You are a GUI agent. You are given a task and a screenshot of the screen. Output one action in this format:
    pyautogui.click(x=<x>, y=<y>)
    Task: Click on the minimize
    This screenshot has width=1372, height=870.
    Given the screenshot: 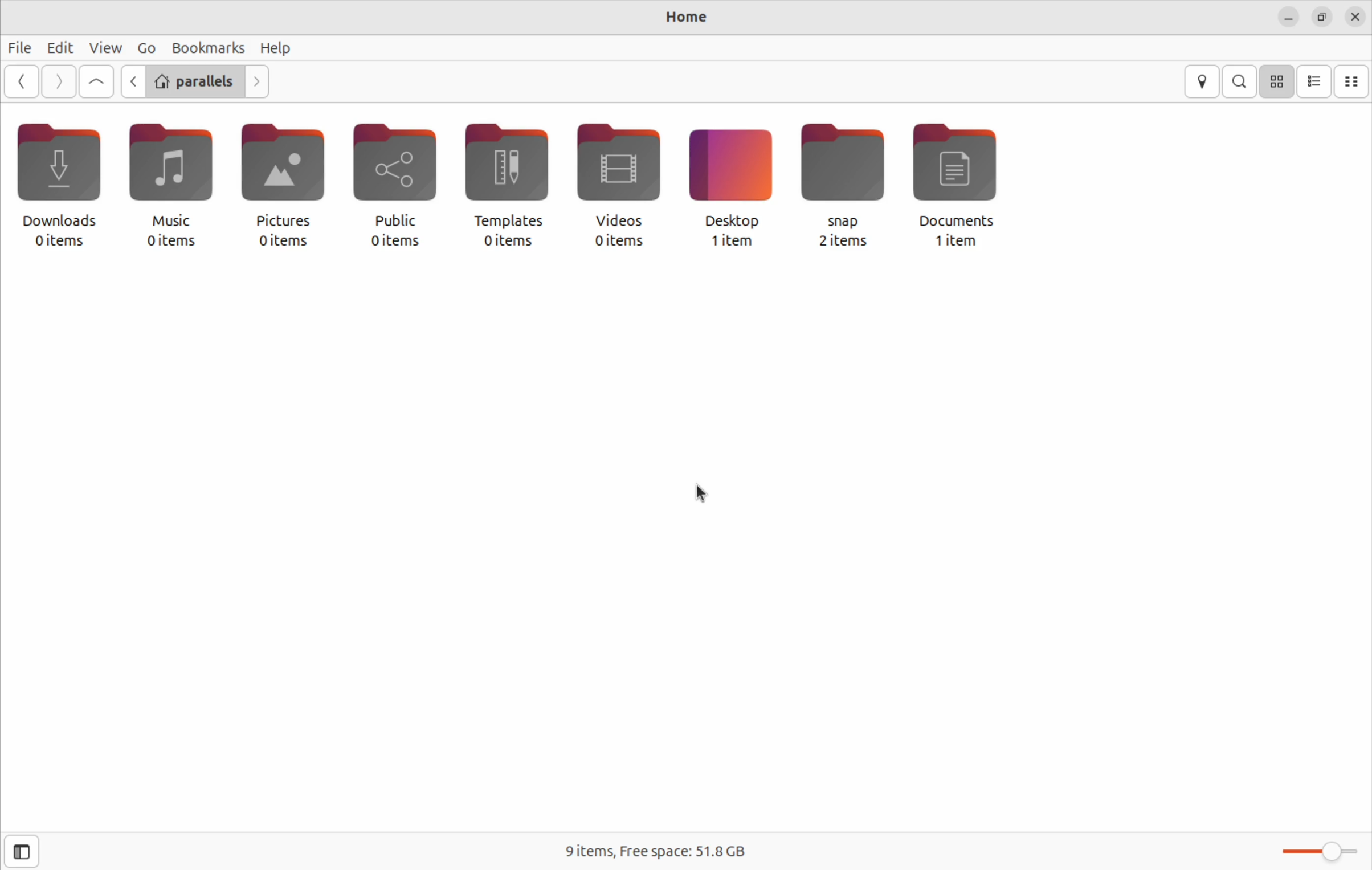 What is the action you would take?
    pyautogui.click(x=1288, y=16)
    